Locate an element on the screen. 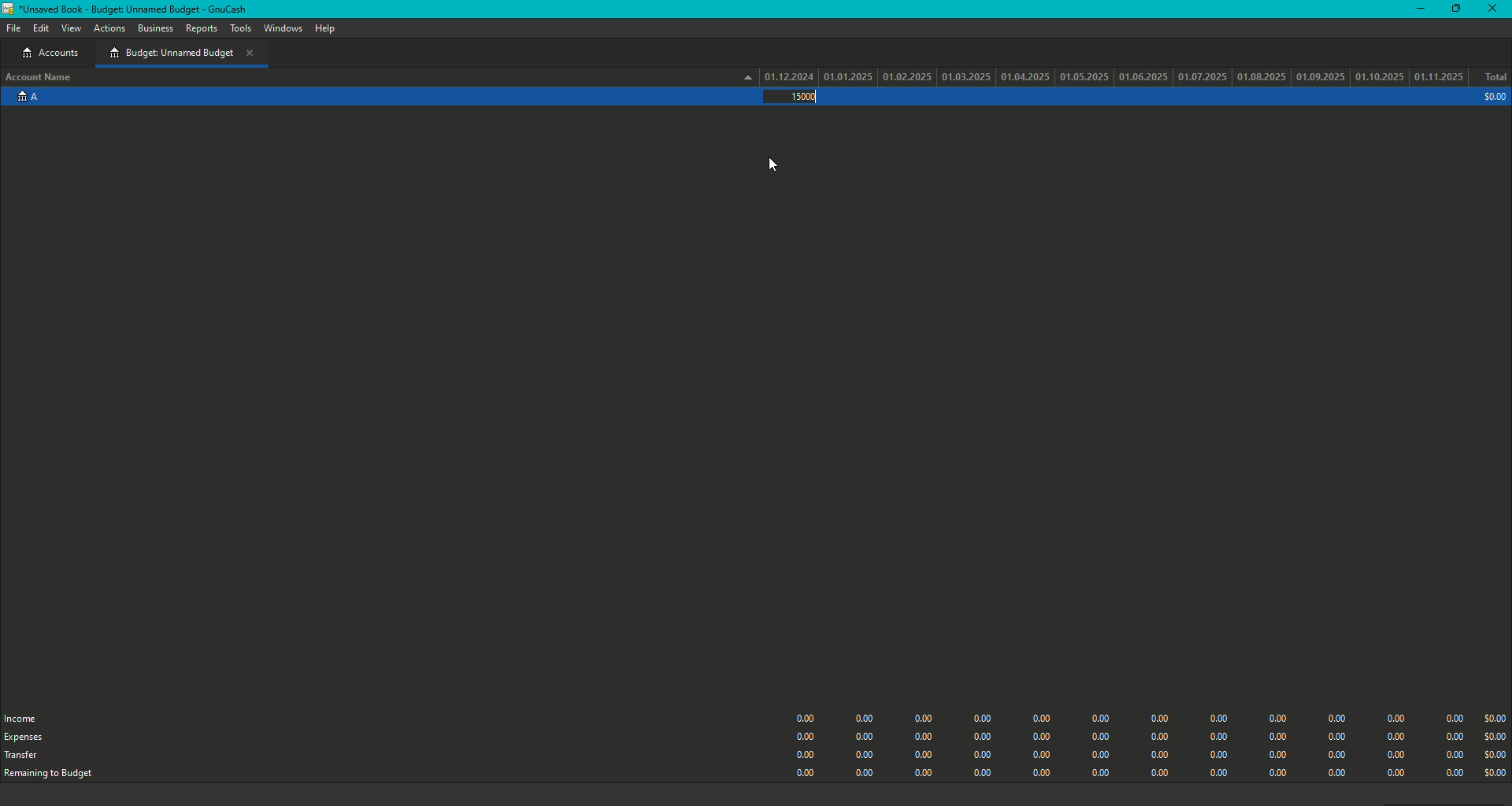 This screenshot has height=806, width=1512. Windows is located at coordinates (283, 29).